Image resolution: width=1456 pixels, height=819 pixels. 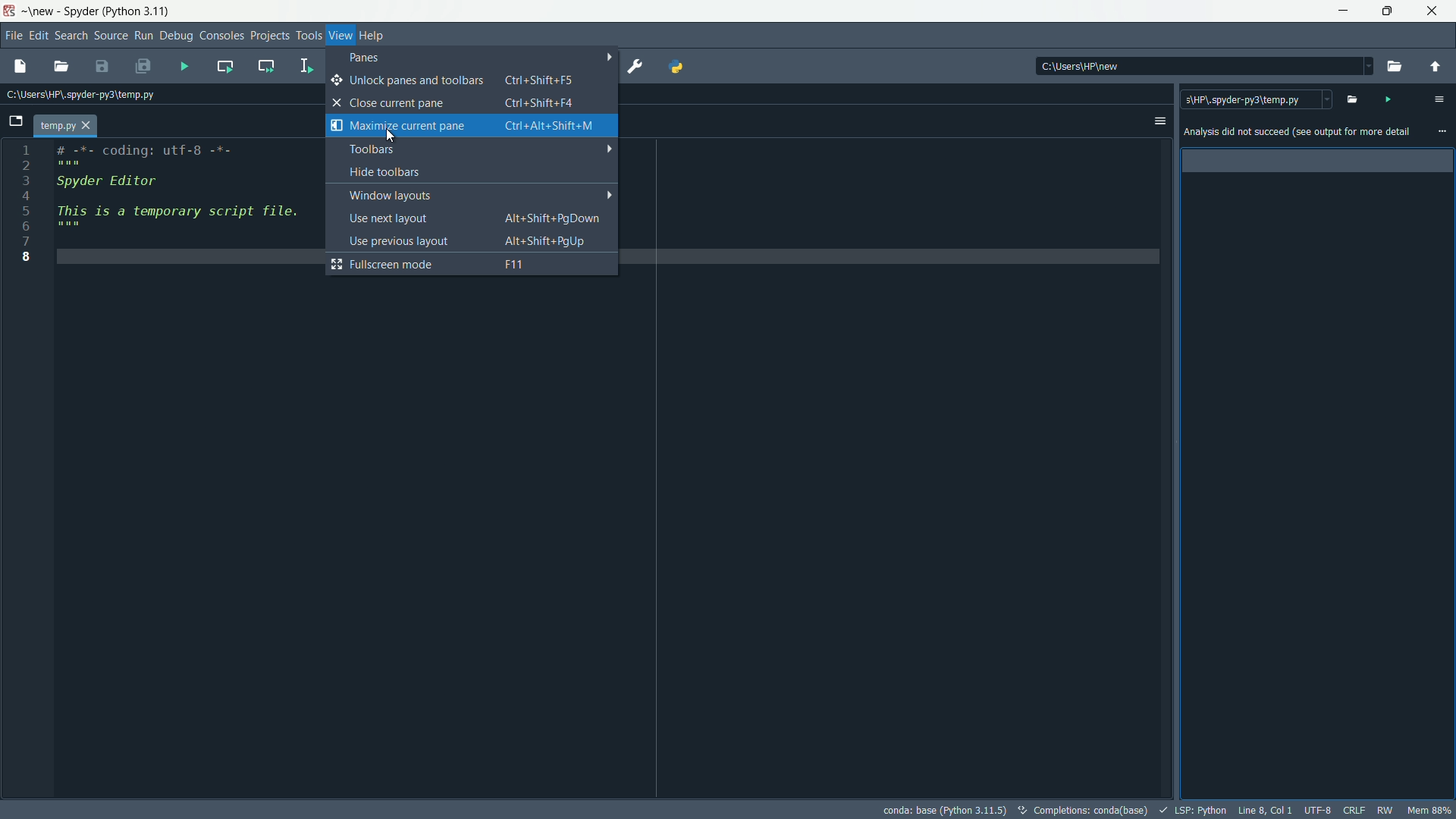 What do you see at coordinates (472, 198) in the screenshot?
I see `windows layout` at bounding box center [472, 198].